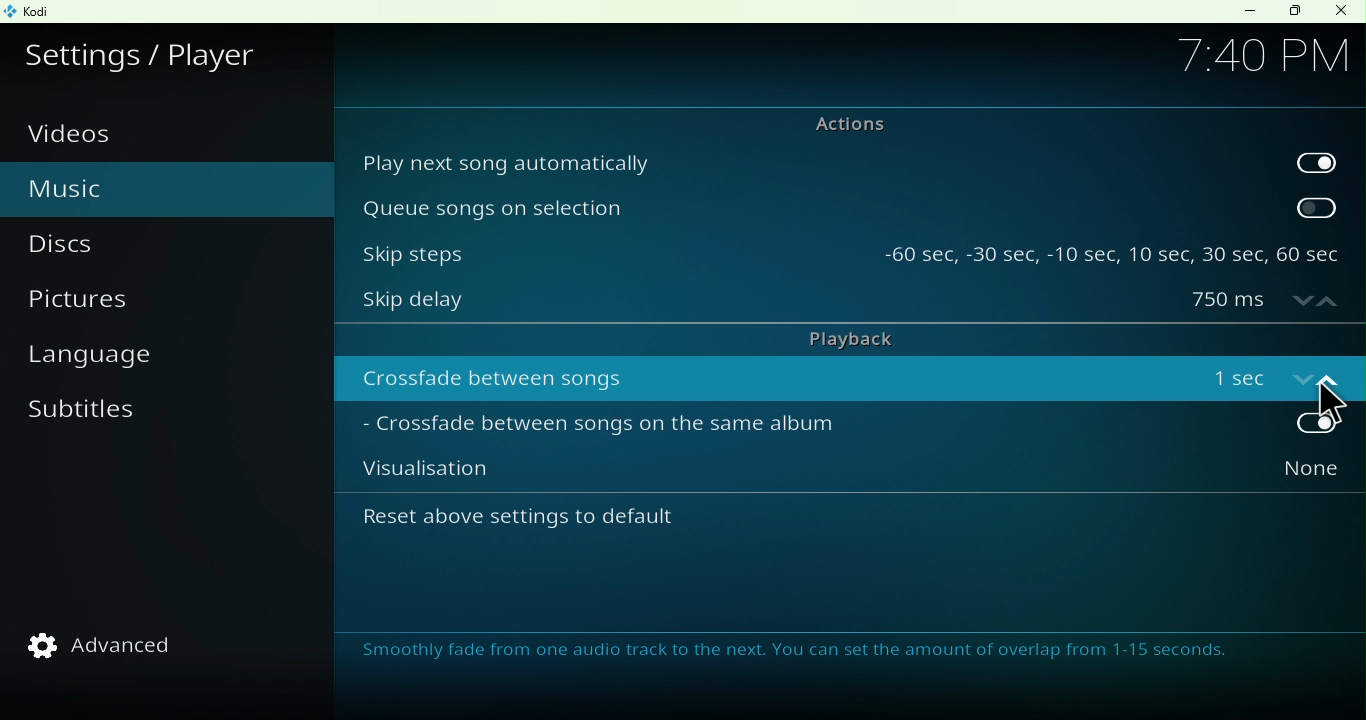  I want to click on Queue songs on selection, so click(810, 207).